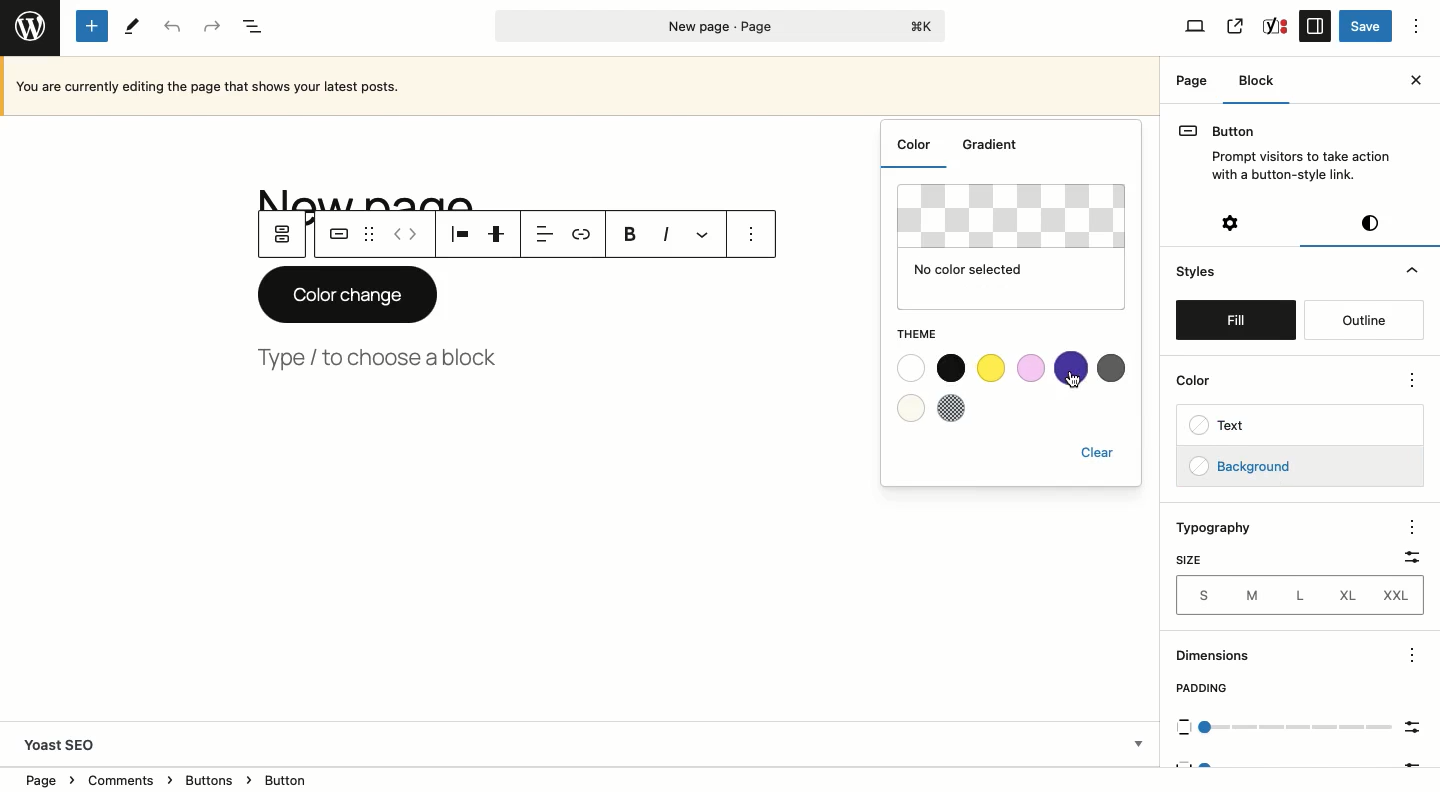 The image size is (1440, 792). What do you see at coordinates (382, 355) in the screenshot?
I see `Type, choose a block` at bounding box center [382, 355].